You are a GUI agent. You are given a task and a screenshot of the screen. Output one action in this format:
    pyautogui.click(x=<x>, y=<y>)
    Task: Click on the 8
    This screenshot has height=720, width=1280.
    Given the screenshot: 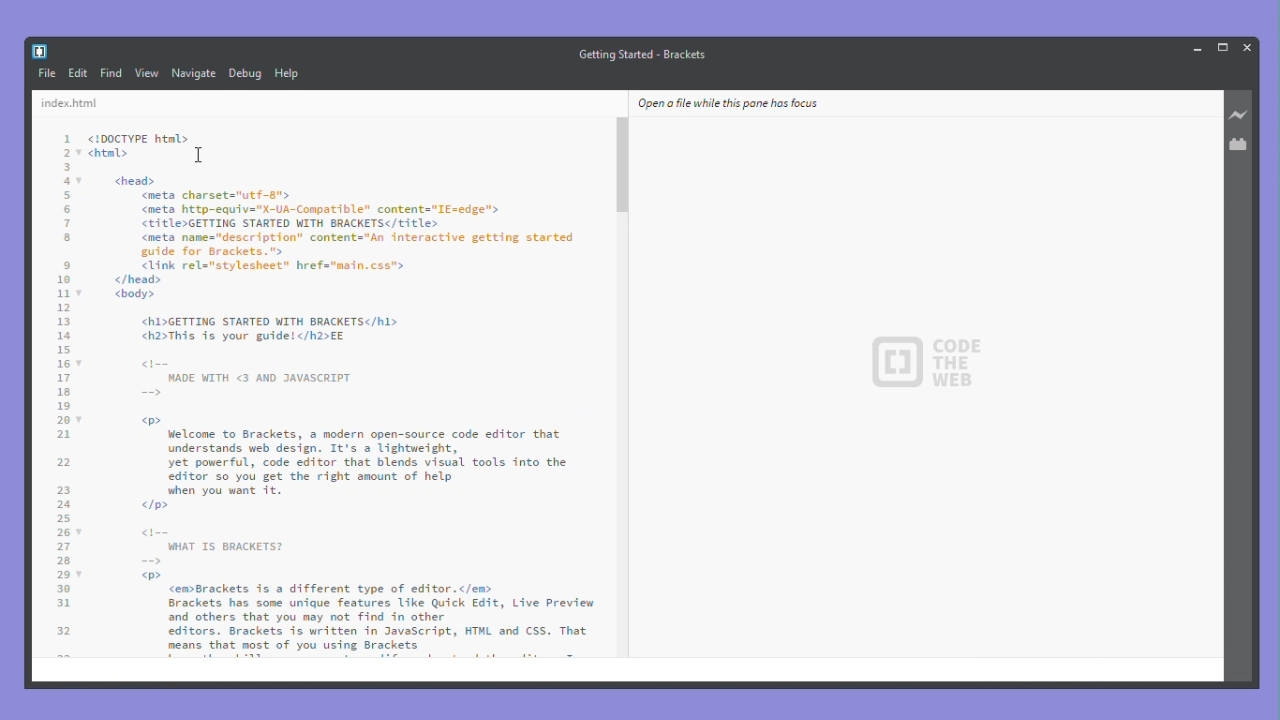 What is the action you would take?
    pyautogui.click(x=64, y=239)
    